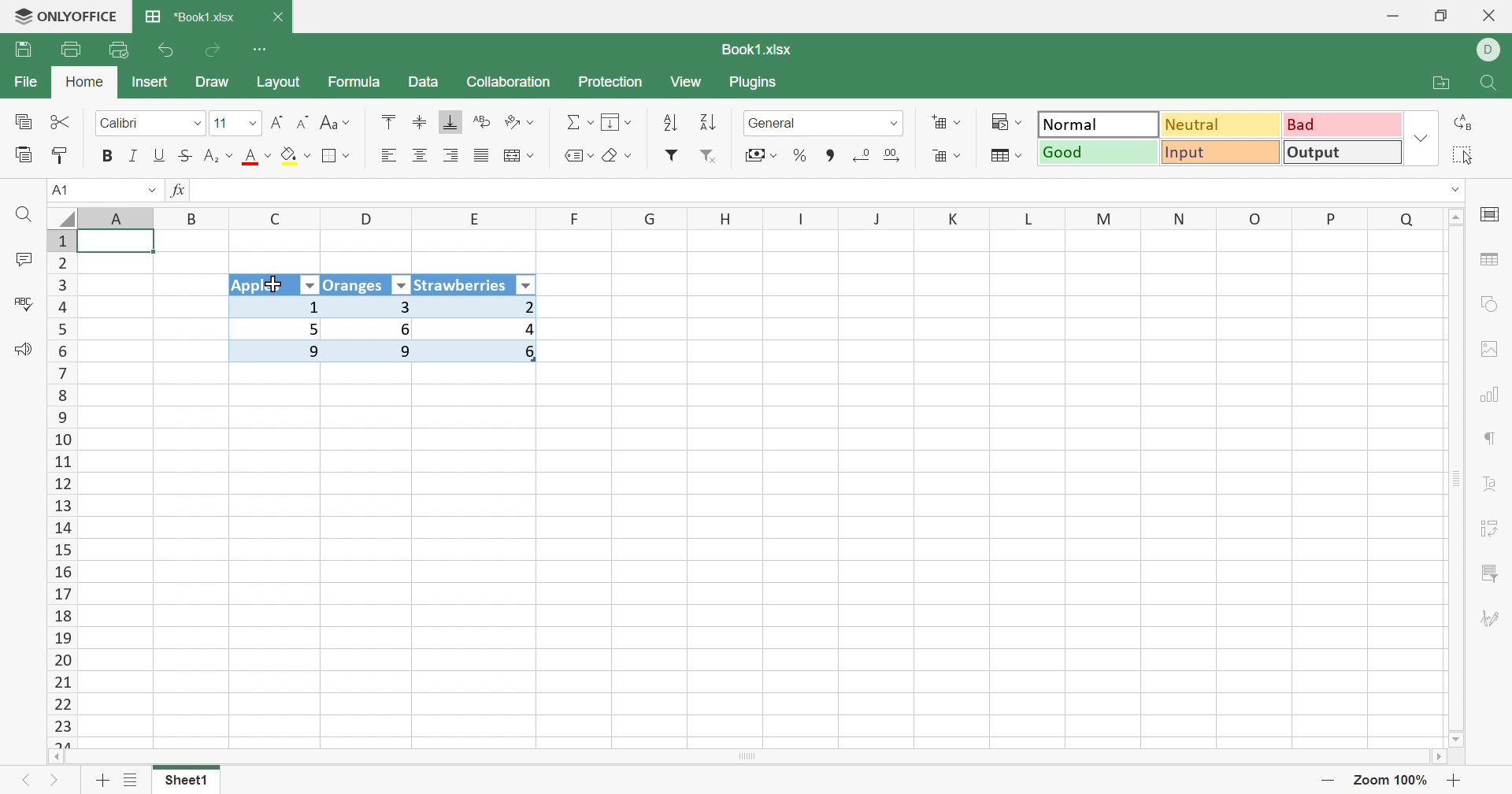  What do you see at coordinates (262, 286) in the screenshot?
I see `Apples` at bounding box center [262, 286].